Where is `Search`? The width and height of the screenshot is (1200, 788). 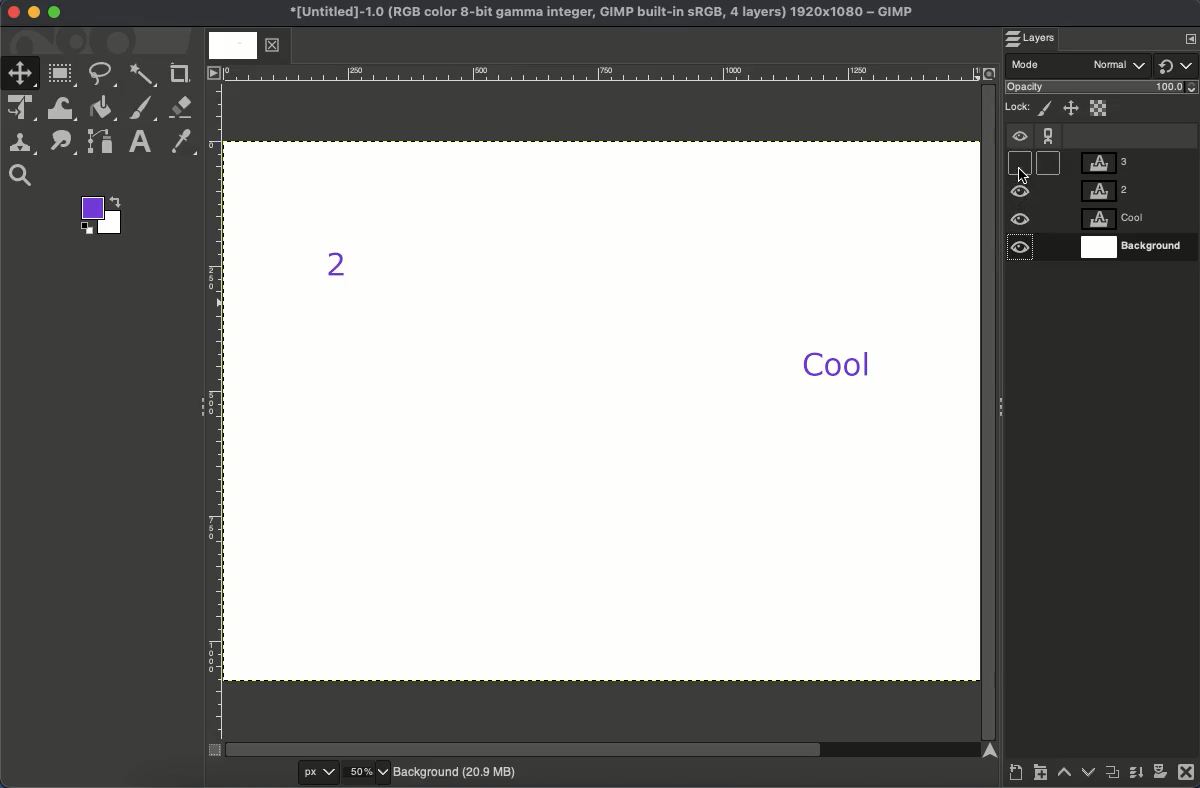 Search is located at coordinates (20, 176).